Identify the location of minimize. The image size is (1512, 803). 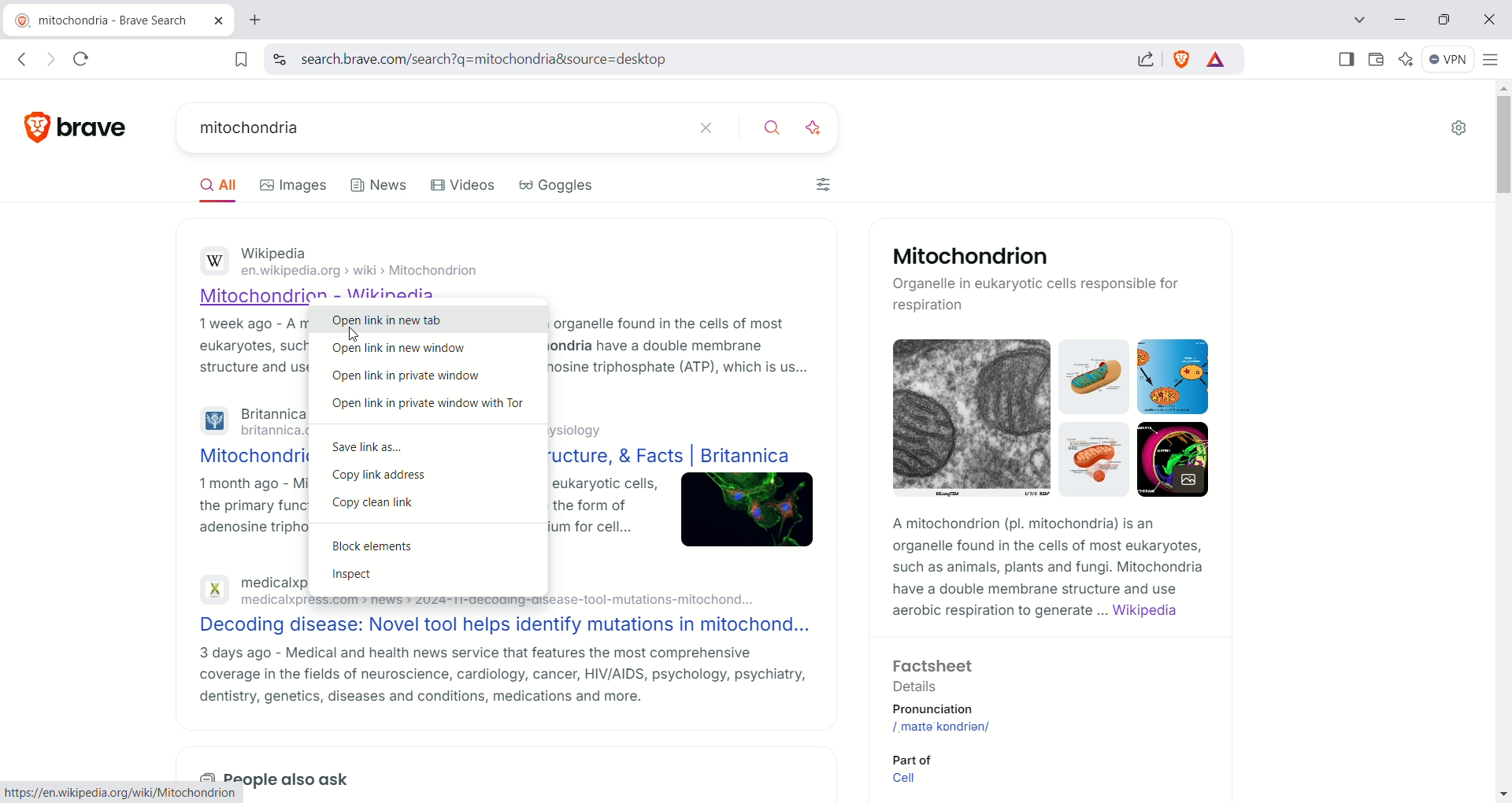
(1404, 21).